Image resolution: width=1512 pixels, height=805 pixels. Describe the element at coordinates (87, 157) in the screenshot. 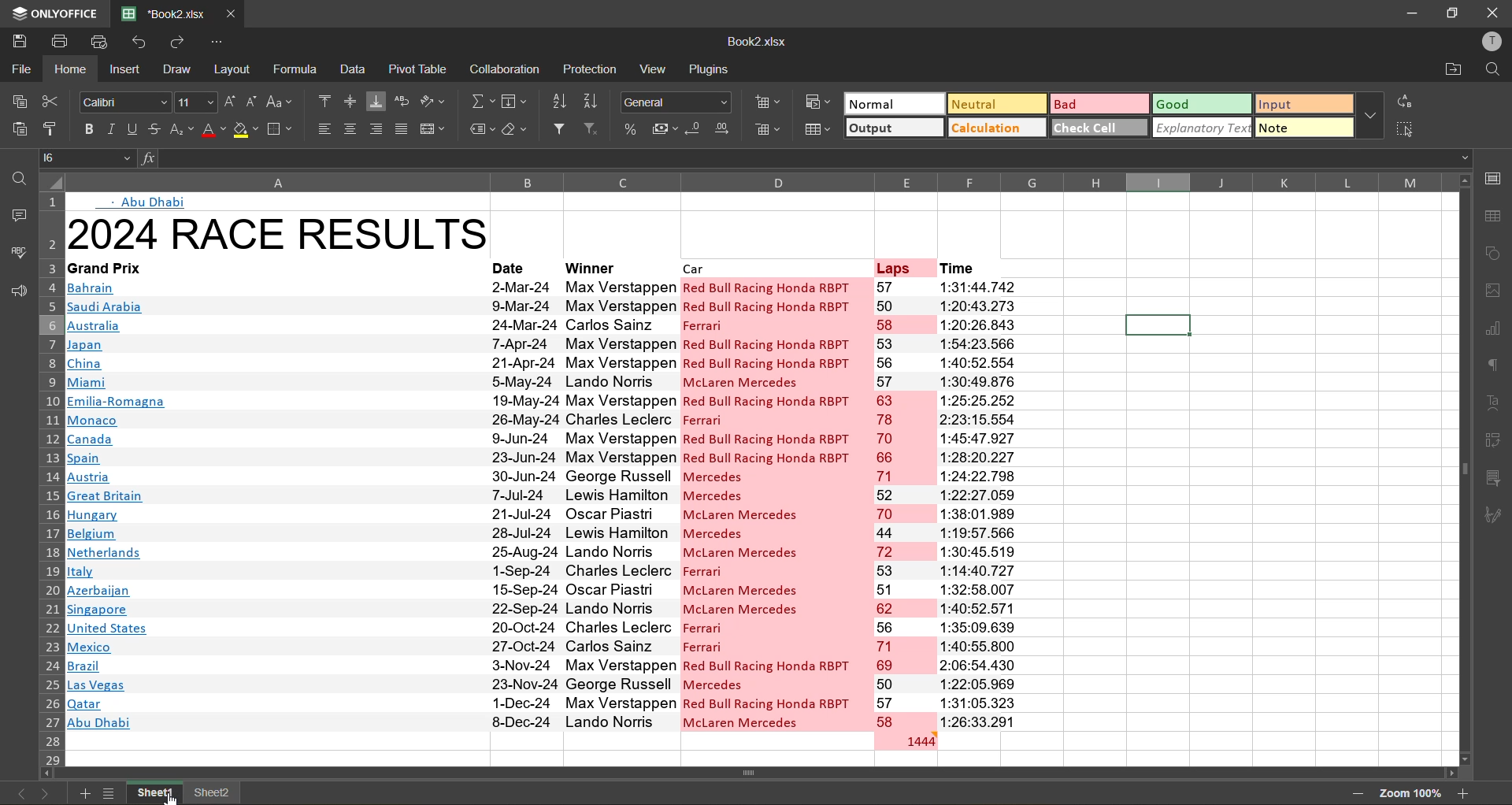

I see `cell address` at that location.